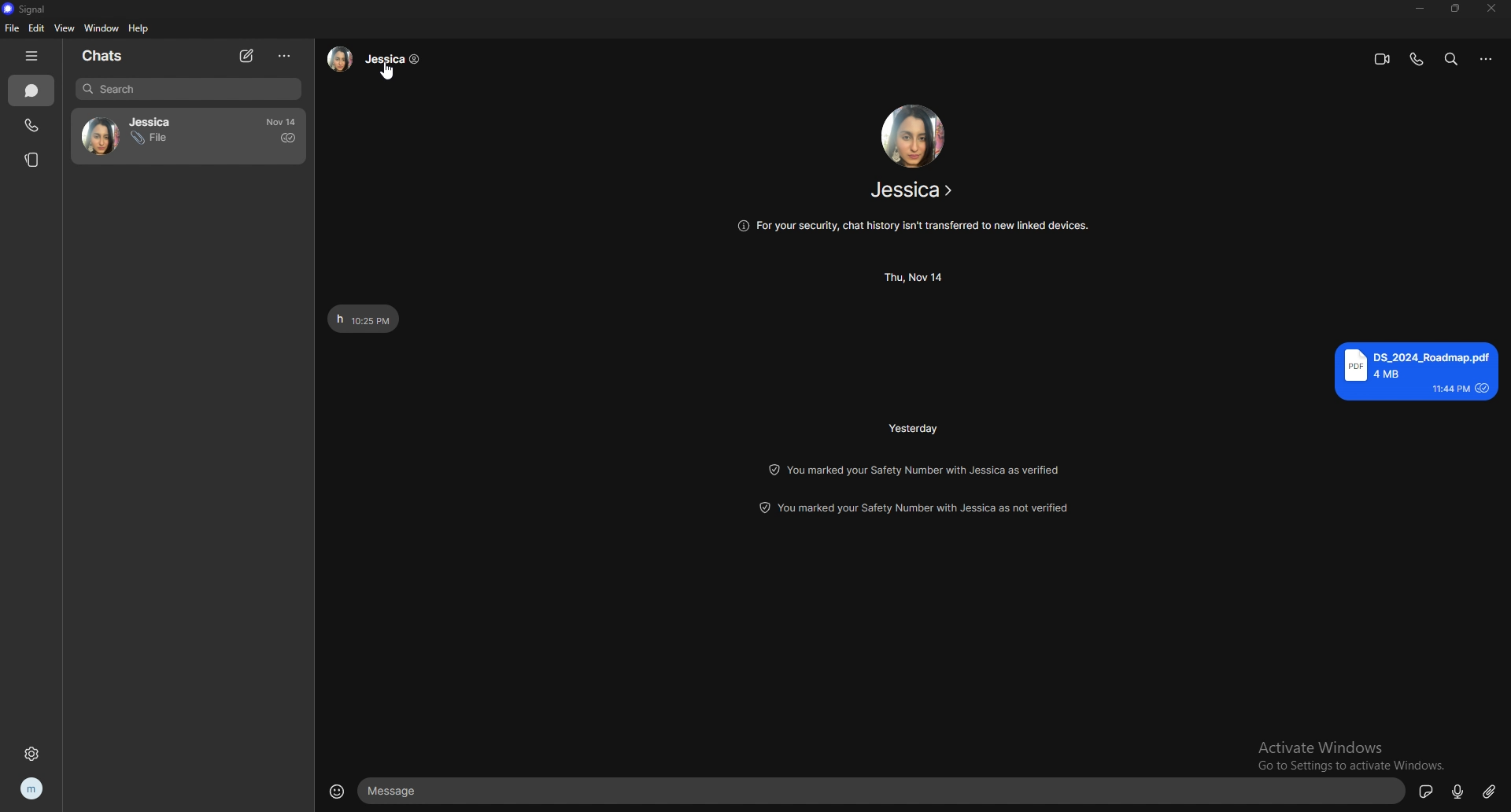  Describe the element at coordinates (1494, 9) in the screenshot. I see `close` at that location.